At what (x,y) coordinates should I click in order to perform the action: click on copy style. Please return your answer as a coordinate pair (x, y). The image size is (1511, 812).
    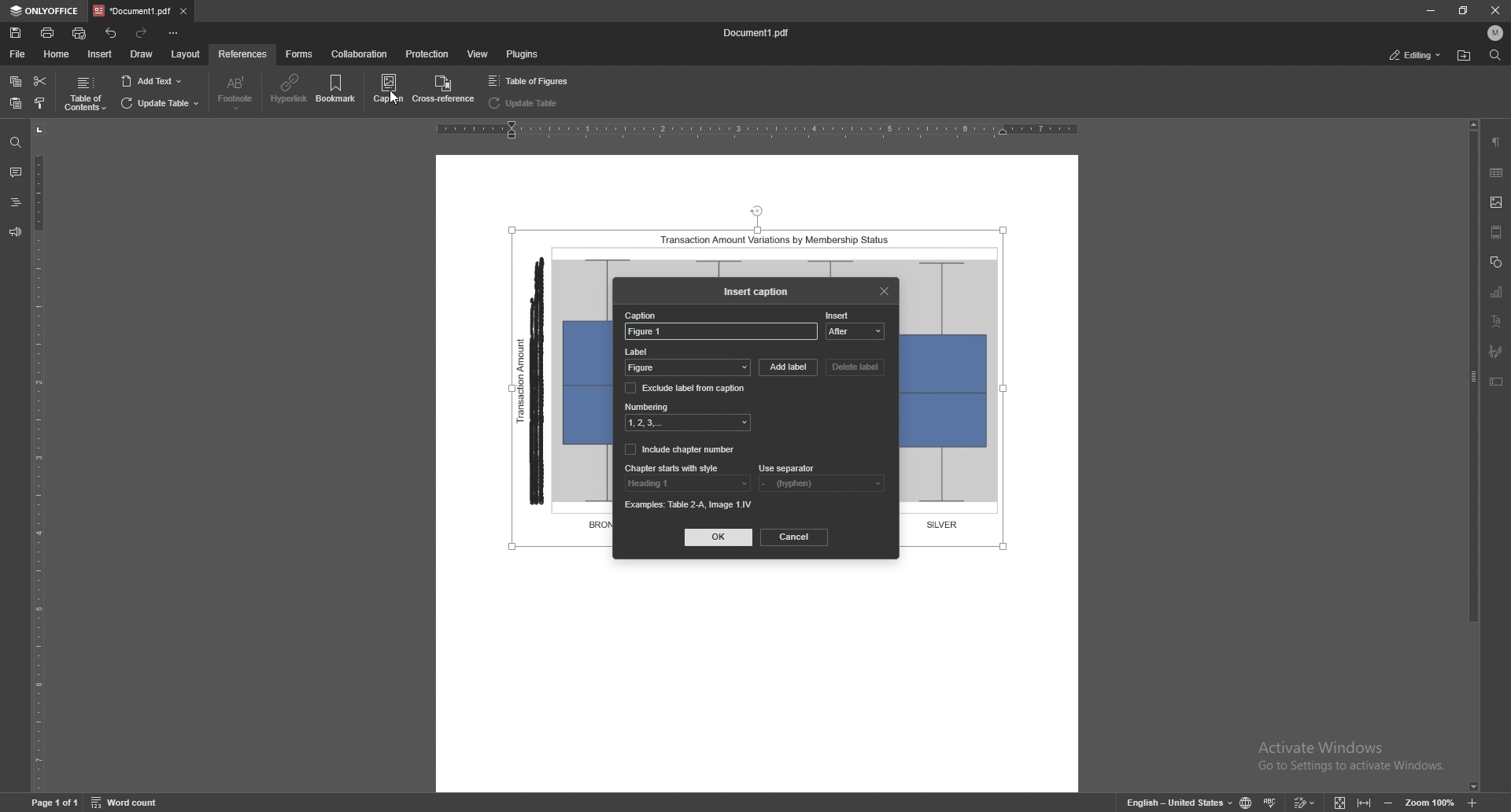
    Looking at the image, I should click on (40, 103).